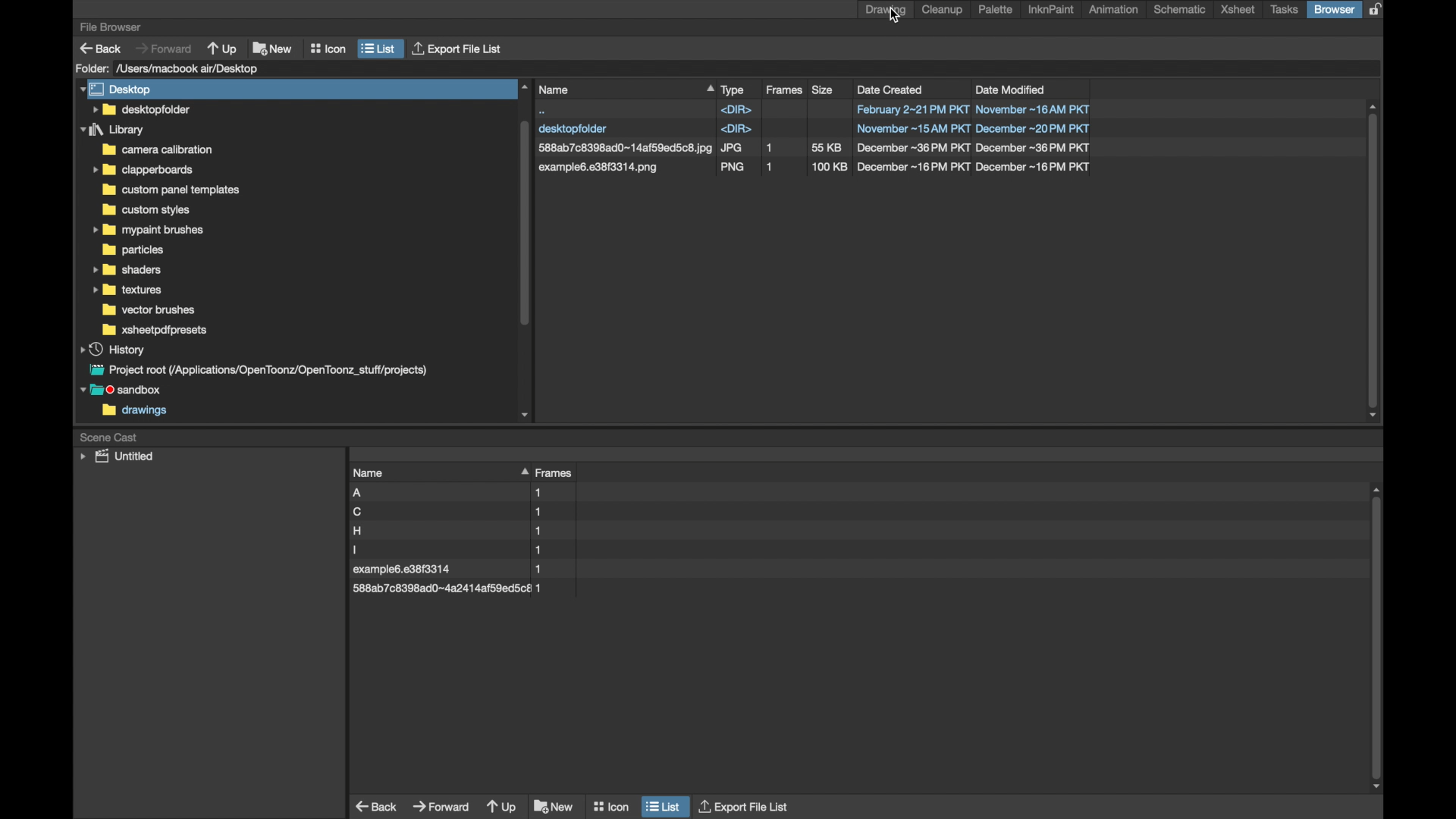  Describe the element at coordinates (557, 473) in the screenshot. I see `frames` at that location.